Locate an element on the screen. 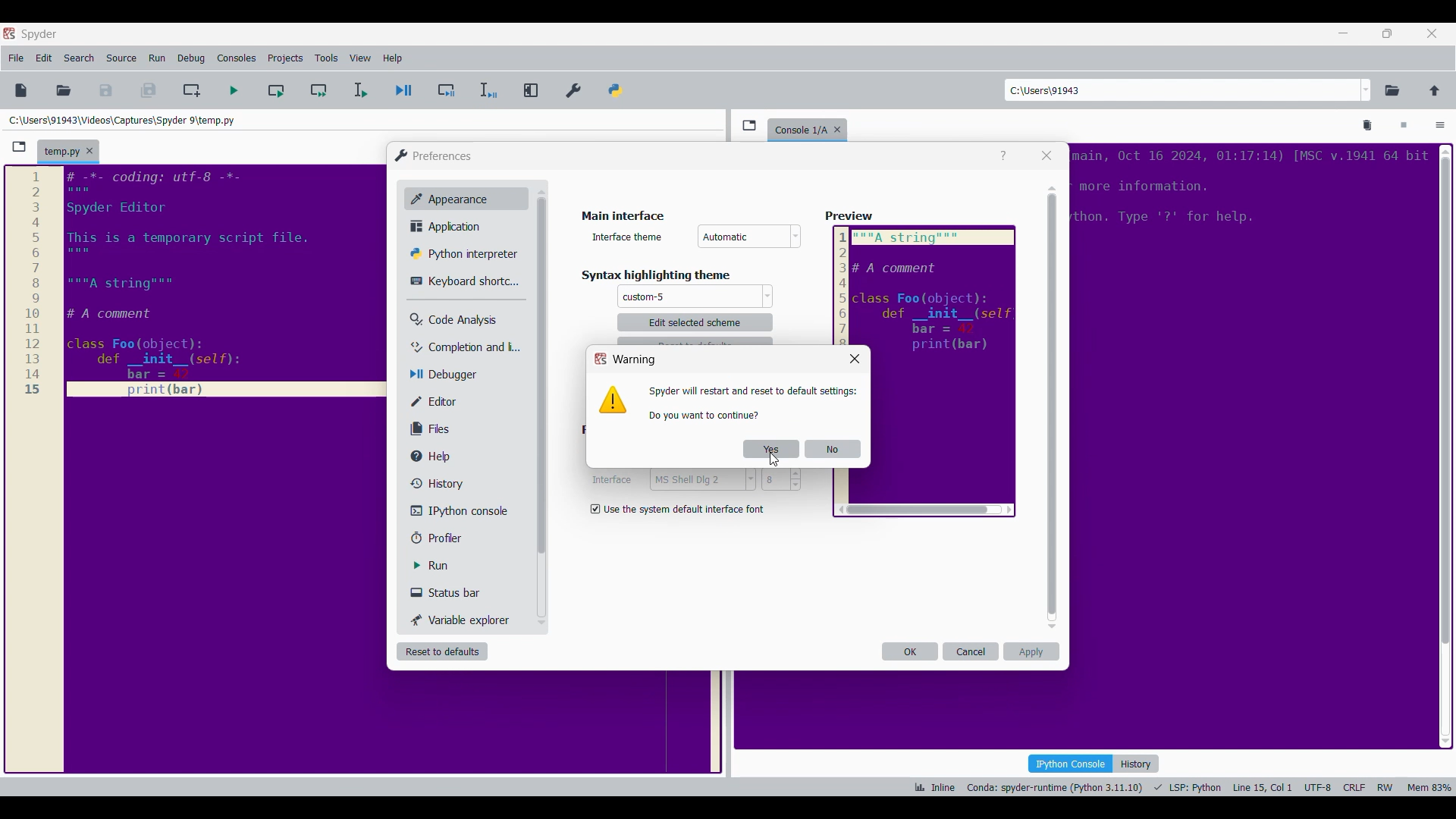  Indicates interface theme options is located at coordinates (626, 237).